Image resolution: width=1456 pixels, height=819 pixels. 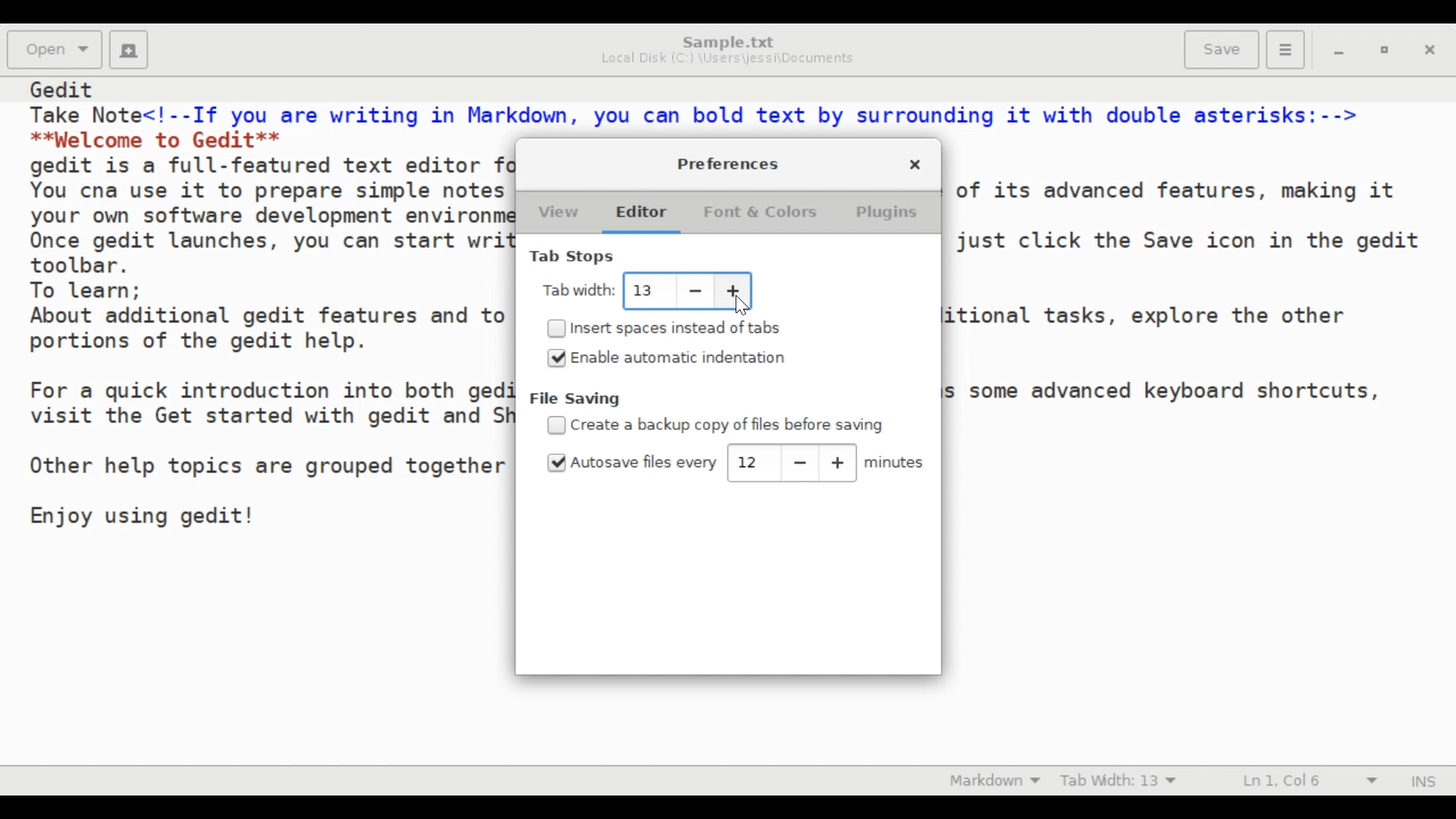 I want to click on (un)select Autosave files, so click(x=631, y=463).